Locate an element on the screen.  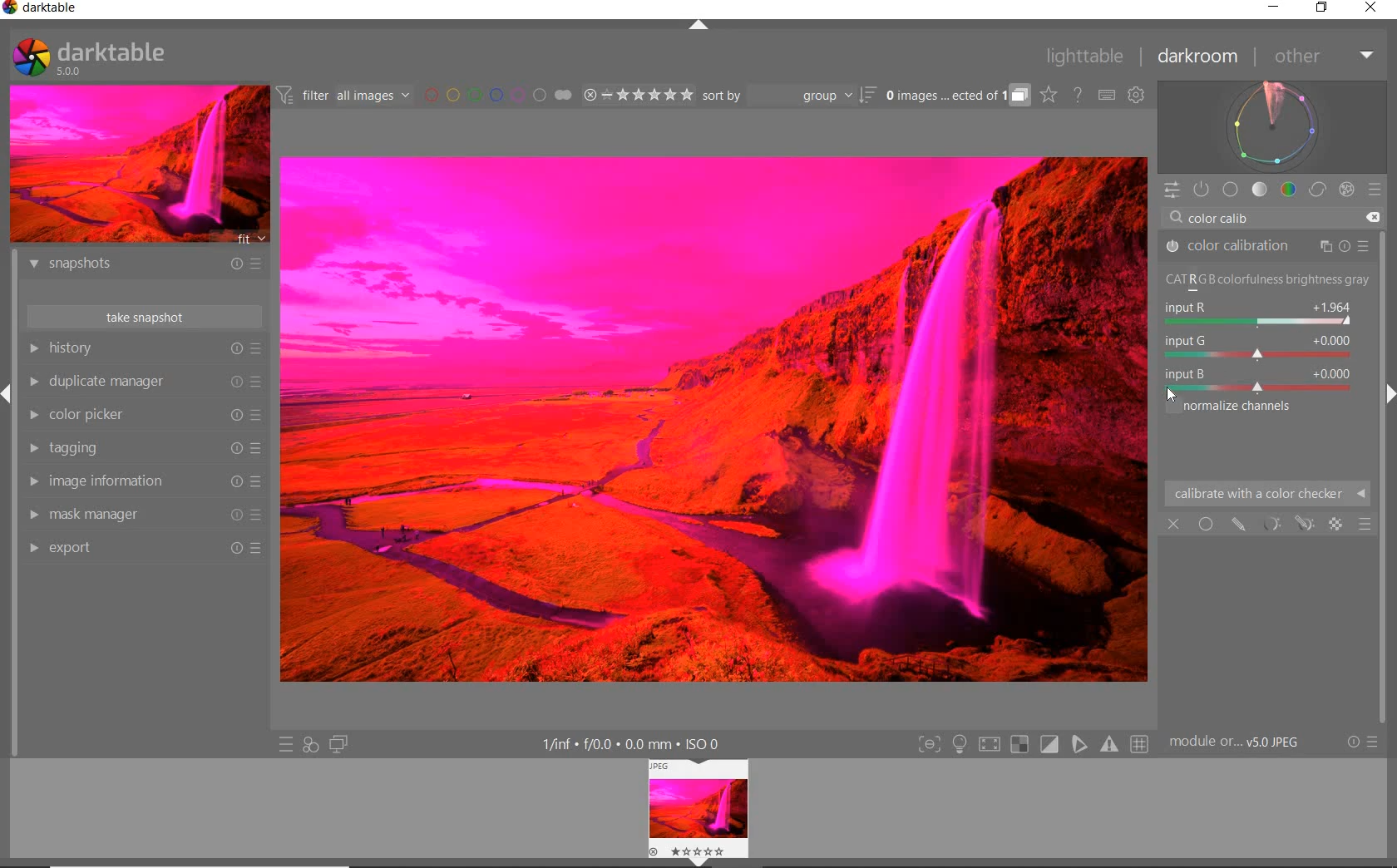
FILTER BY IMAGE COLOR LABEL is located at coordinates (499, 96).